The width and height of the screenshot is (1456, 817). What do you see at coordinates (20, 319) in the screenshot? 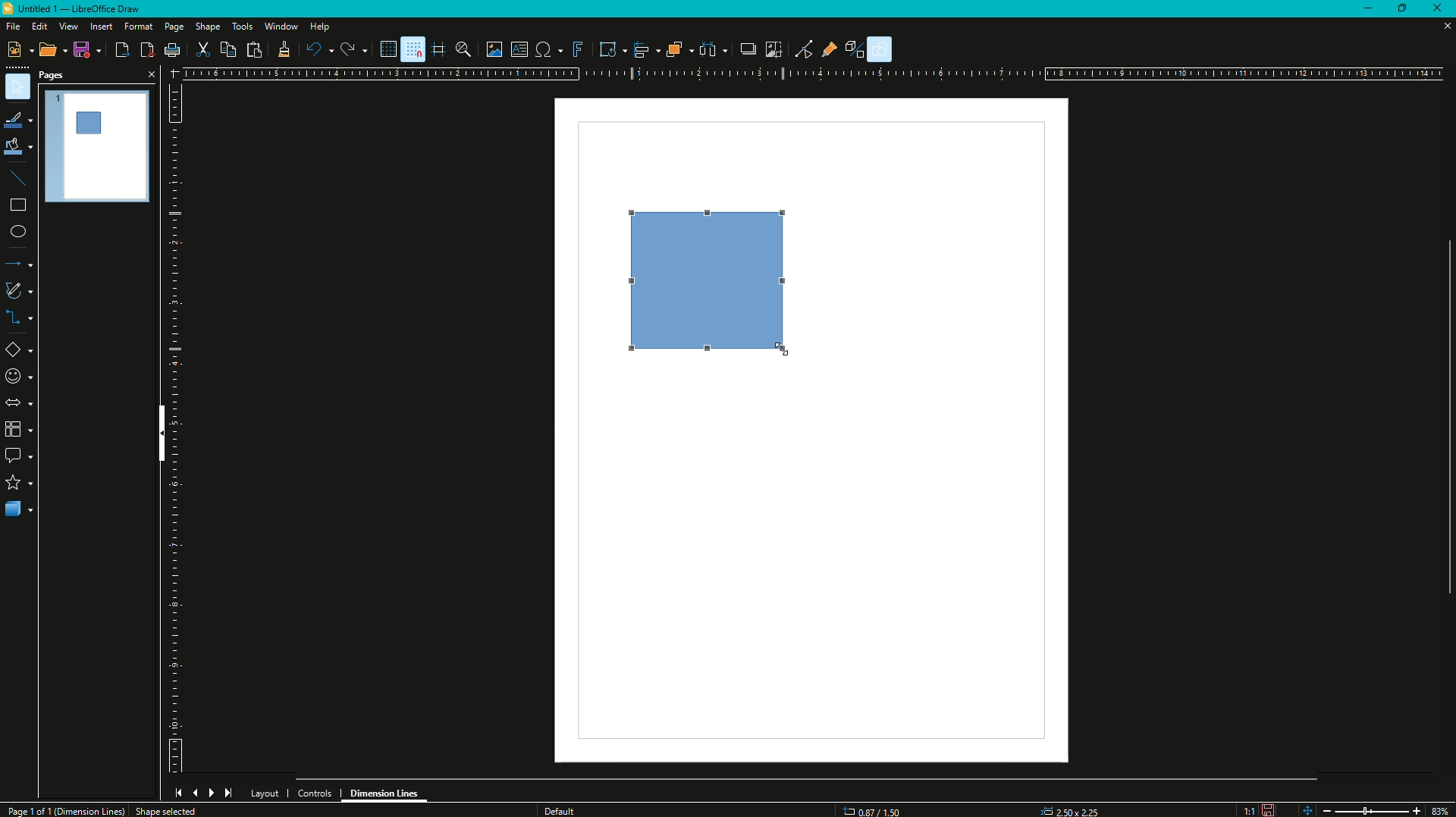
I see `Connectors` at bounding box center [20, 319].